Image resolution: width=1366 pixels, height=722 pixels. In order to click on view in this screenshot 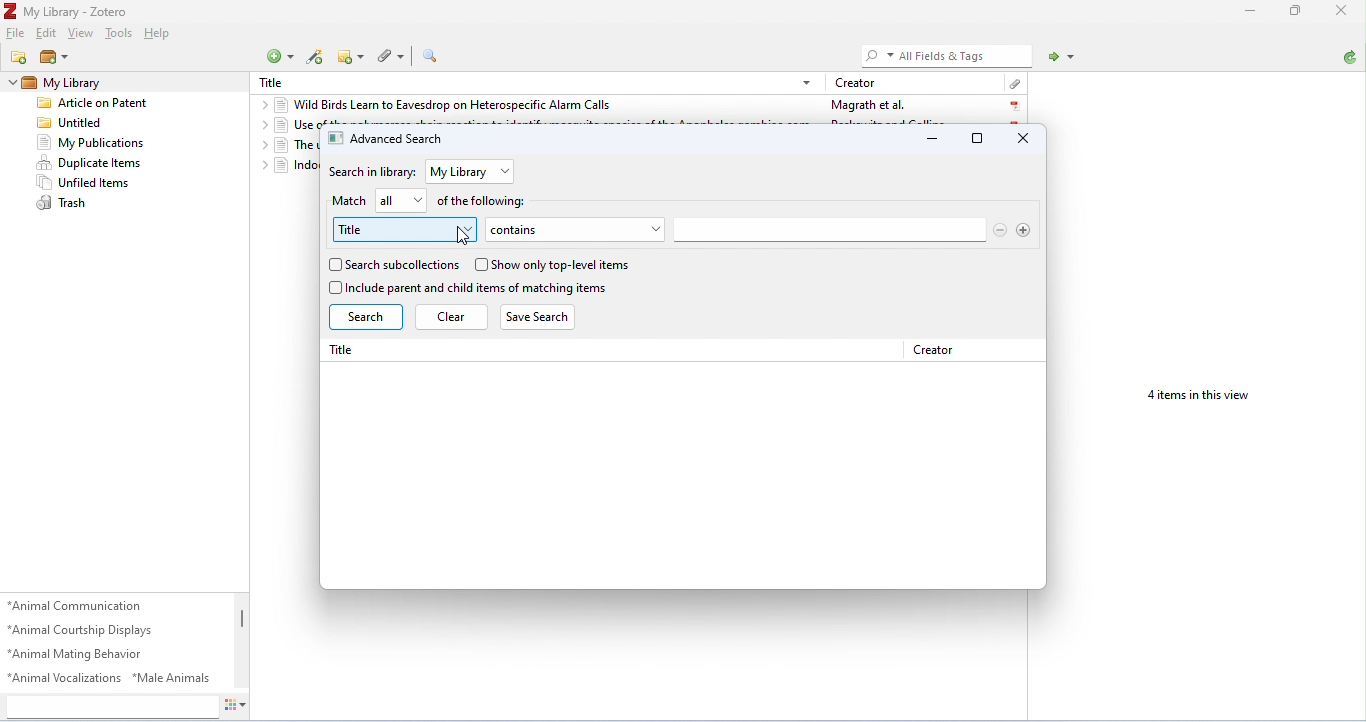, I will do `click(82, 34)`.